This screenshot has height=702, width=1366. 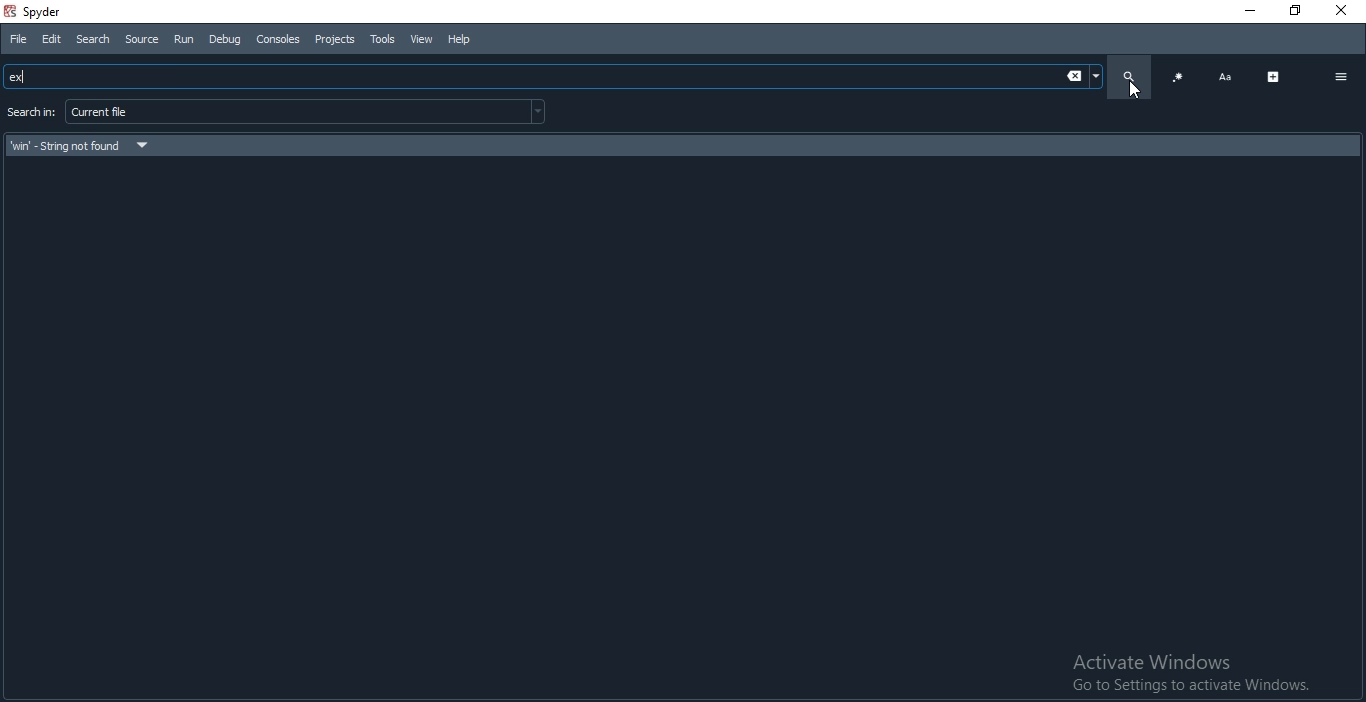 I want to click on Search, so click(x=93, y=40).